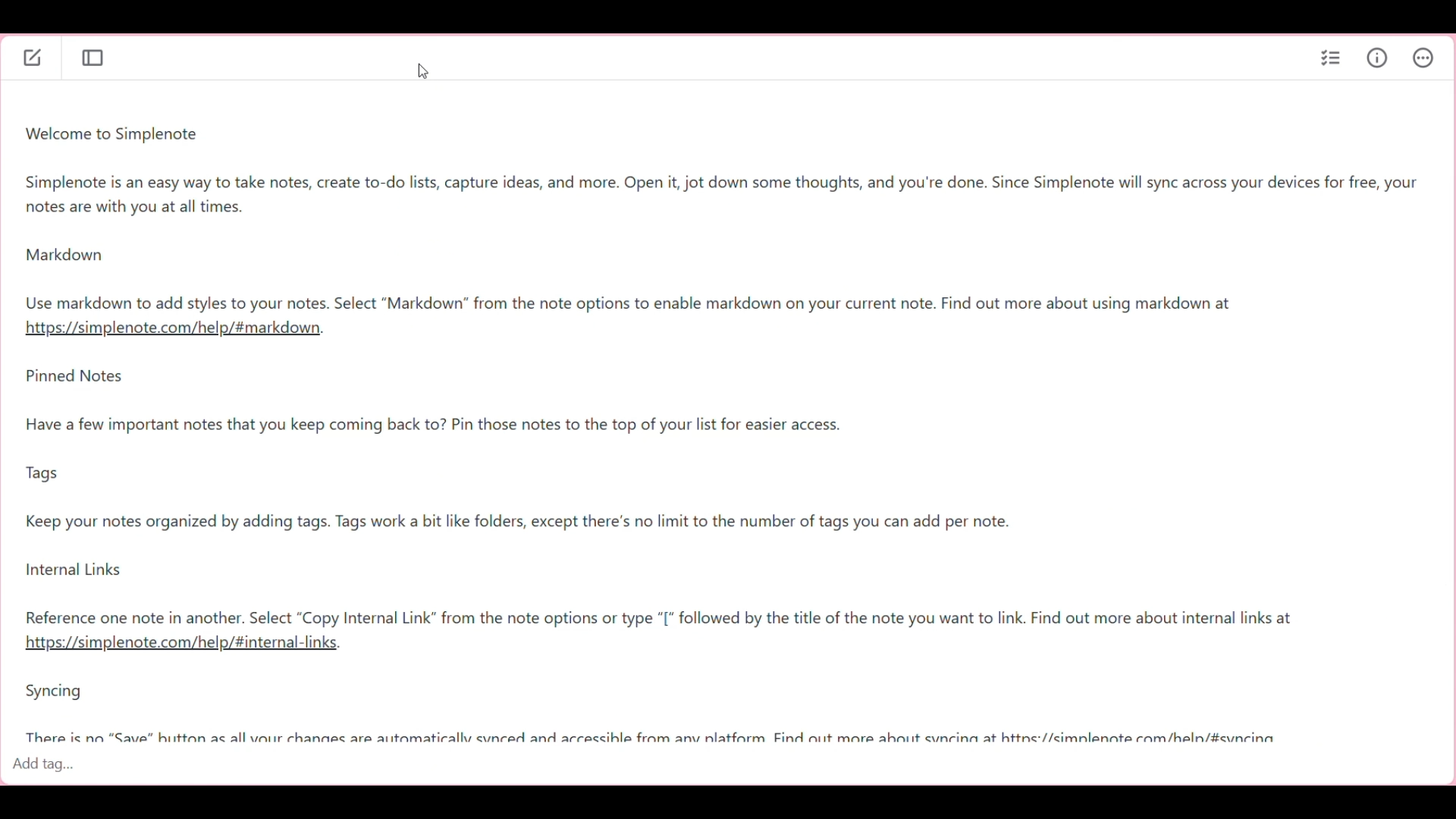  What do you see at coordinates (1377, 57) in the screenshot?
I see `Info` at bounding box center [1377, 57].